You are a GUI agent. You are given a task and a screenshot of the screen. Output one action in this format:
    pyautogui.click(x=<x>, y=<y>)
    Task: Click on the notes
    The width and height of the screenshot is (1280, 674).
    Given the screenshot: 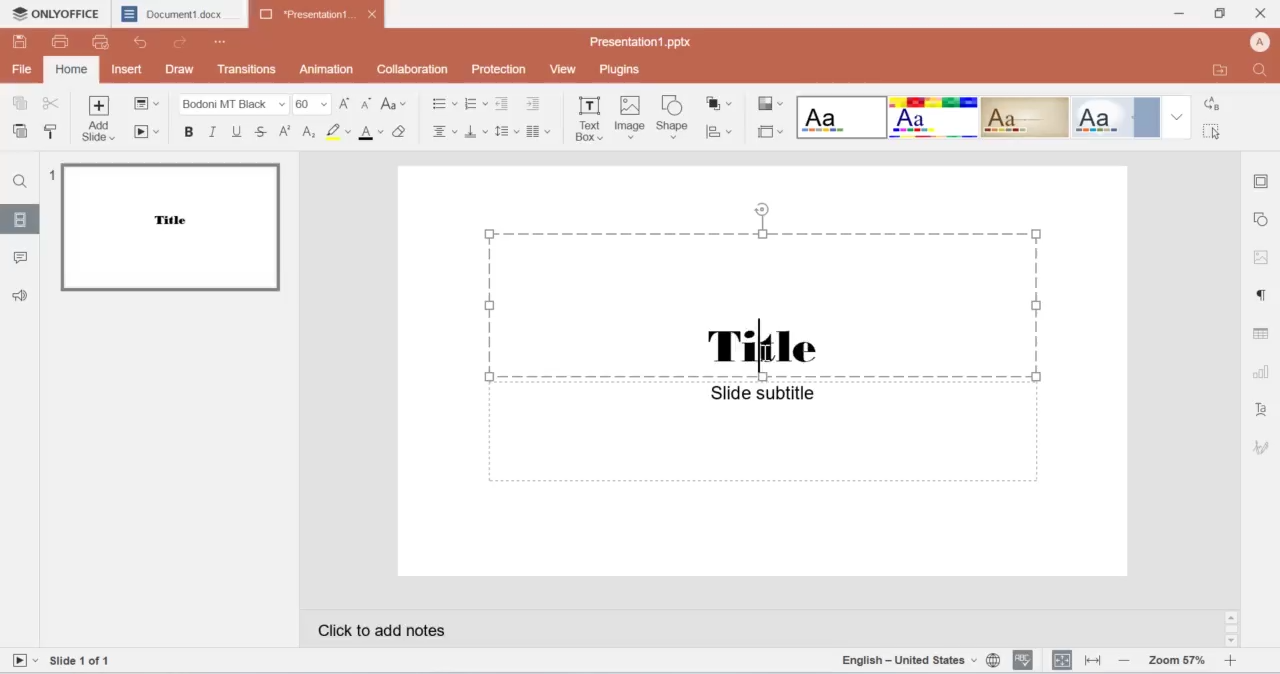 What is the action you would take?
    pyautogui.click(x=430, y=633)
    